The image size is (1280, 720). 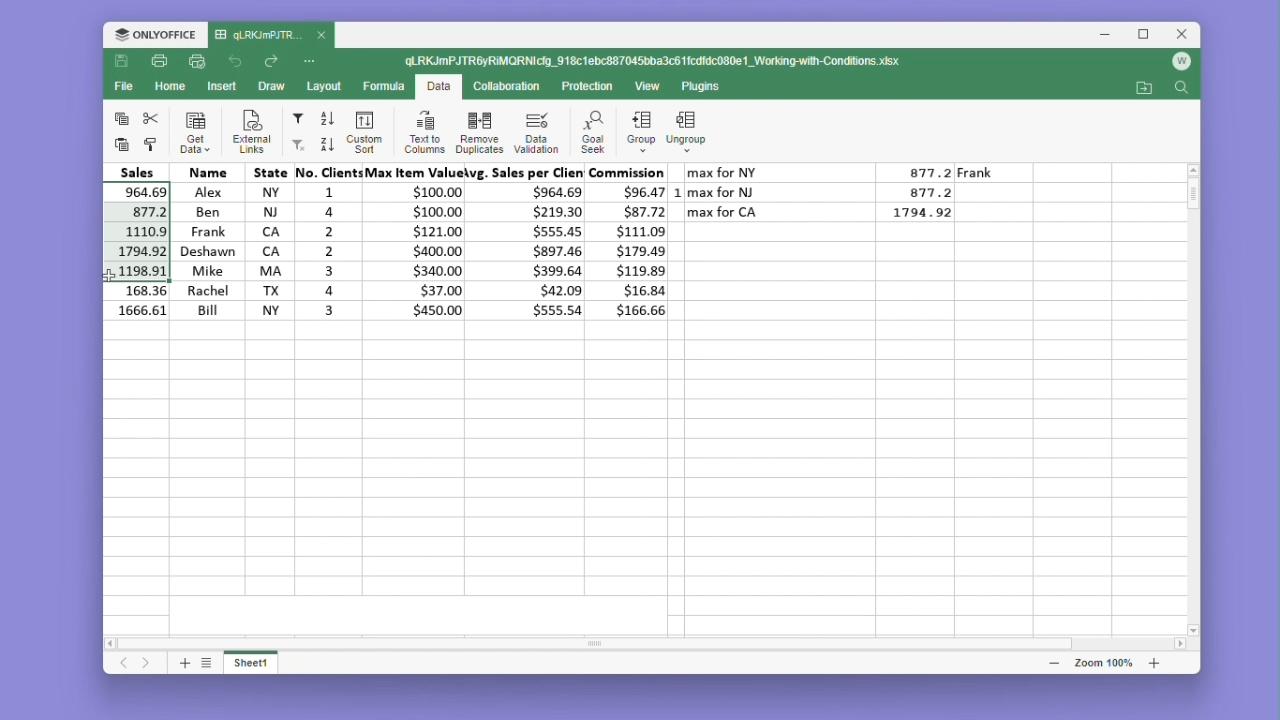 I want to click on add sheet, so click(x=183, y=662).